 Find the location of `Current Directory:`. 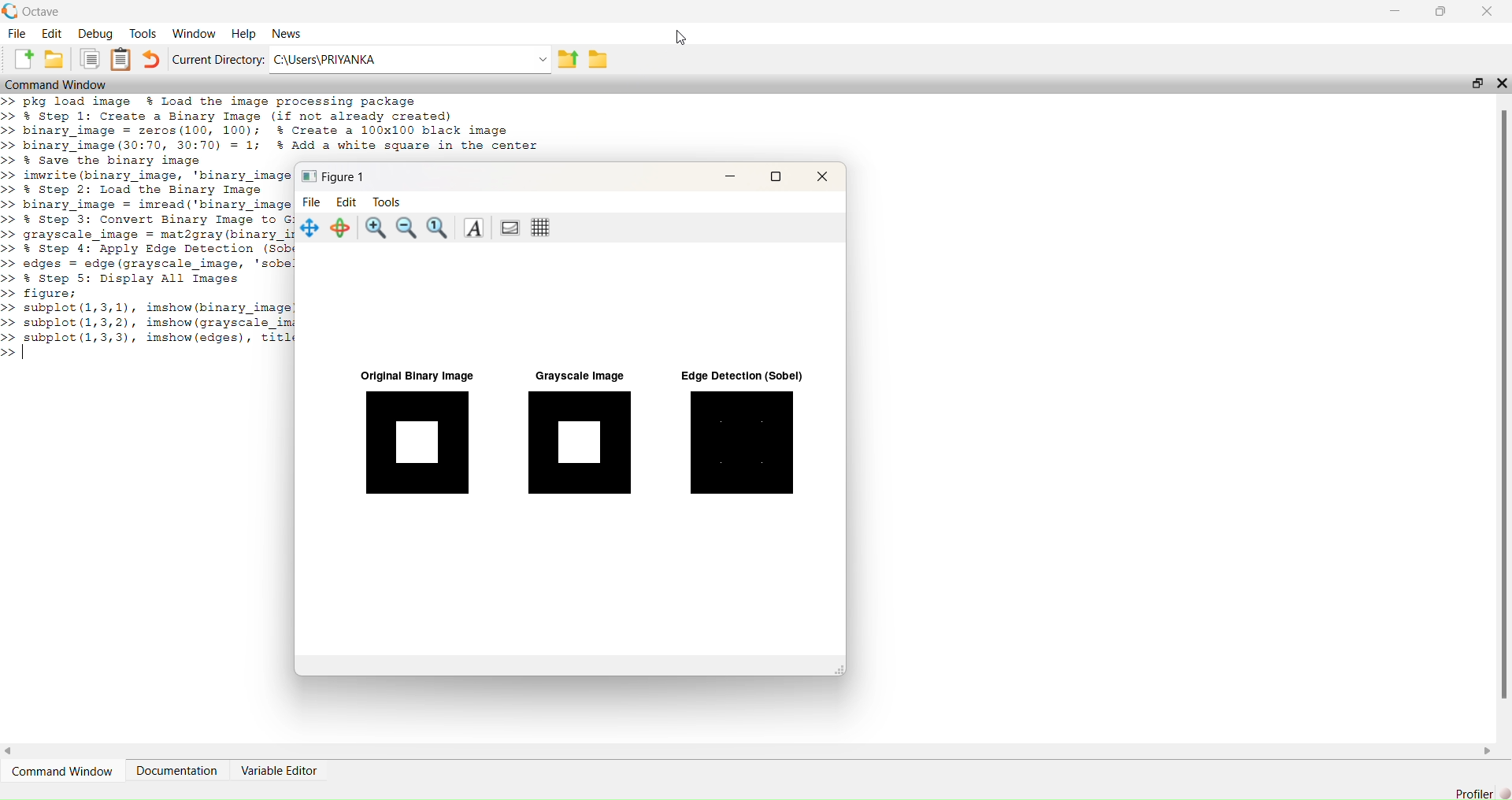

Current Directory: is located at coordinates (220, 61).